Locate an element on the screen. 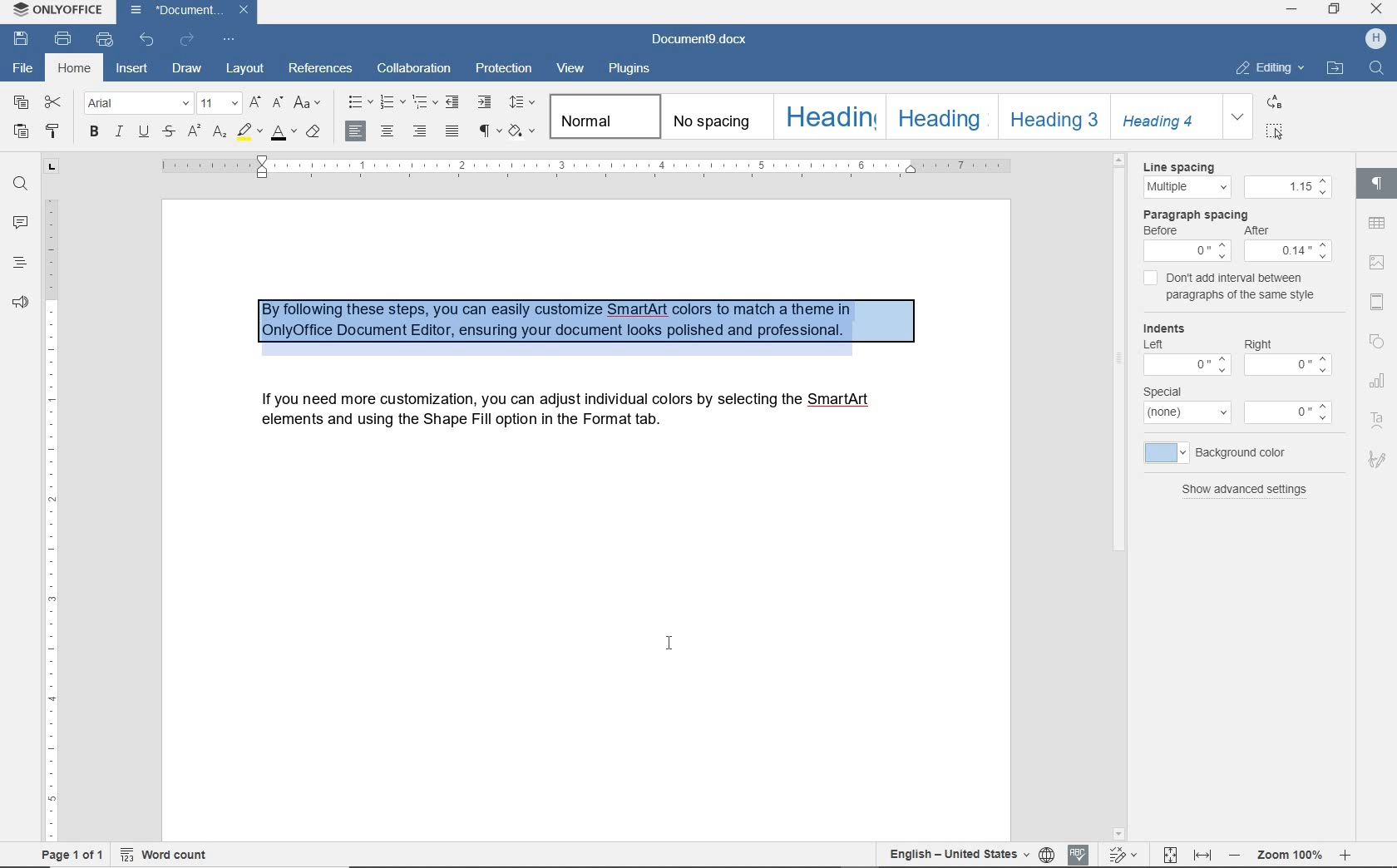  track chnges is located at coordinates (1127, 852).